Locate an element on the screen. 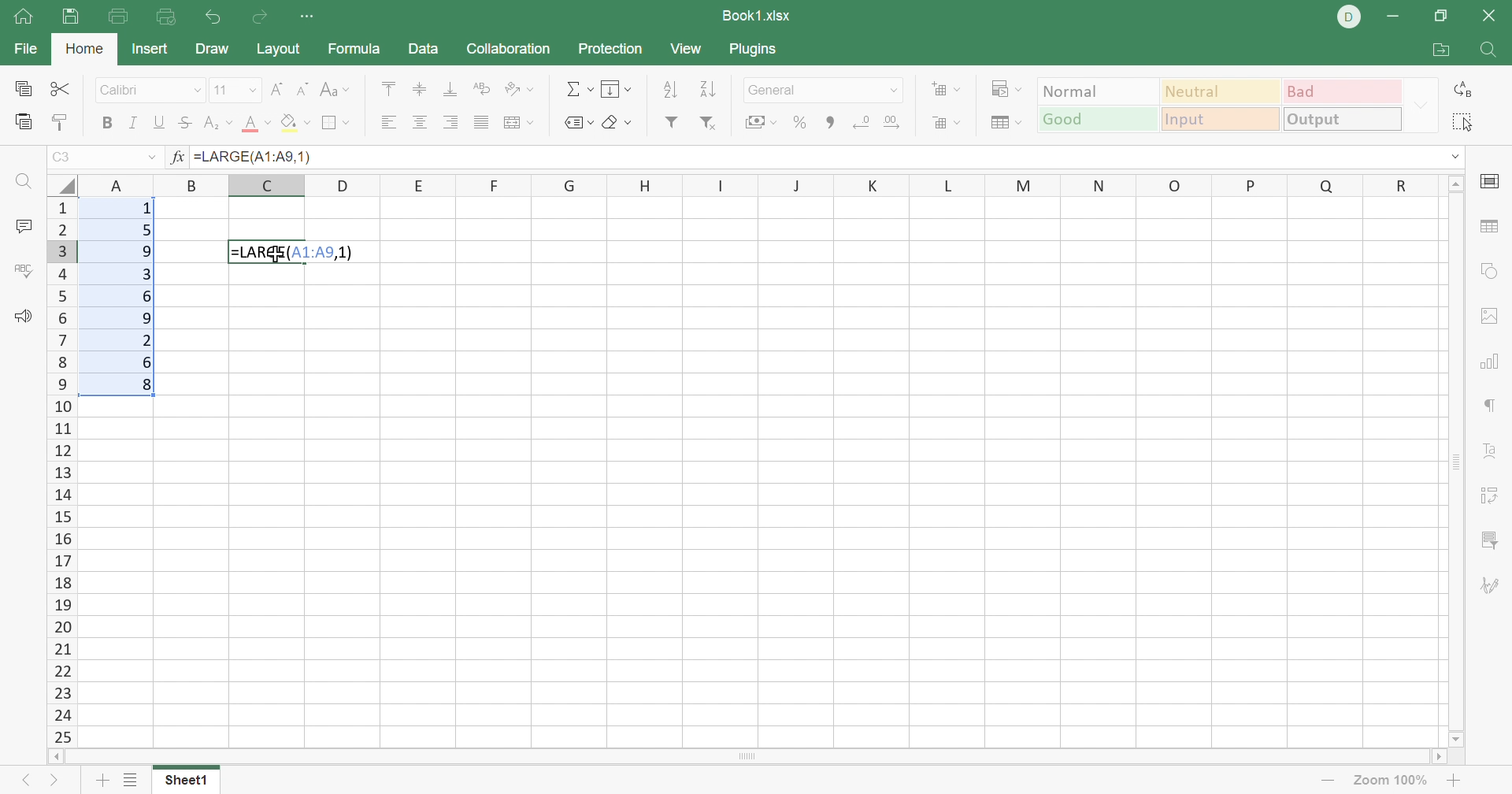 The image size is (1512, 794). Zoom in is located at coordinates (1455, 781).